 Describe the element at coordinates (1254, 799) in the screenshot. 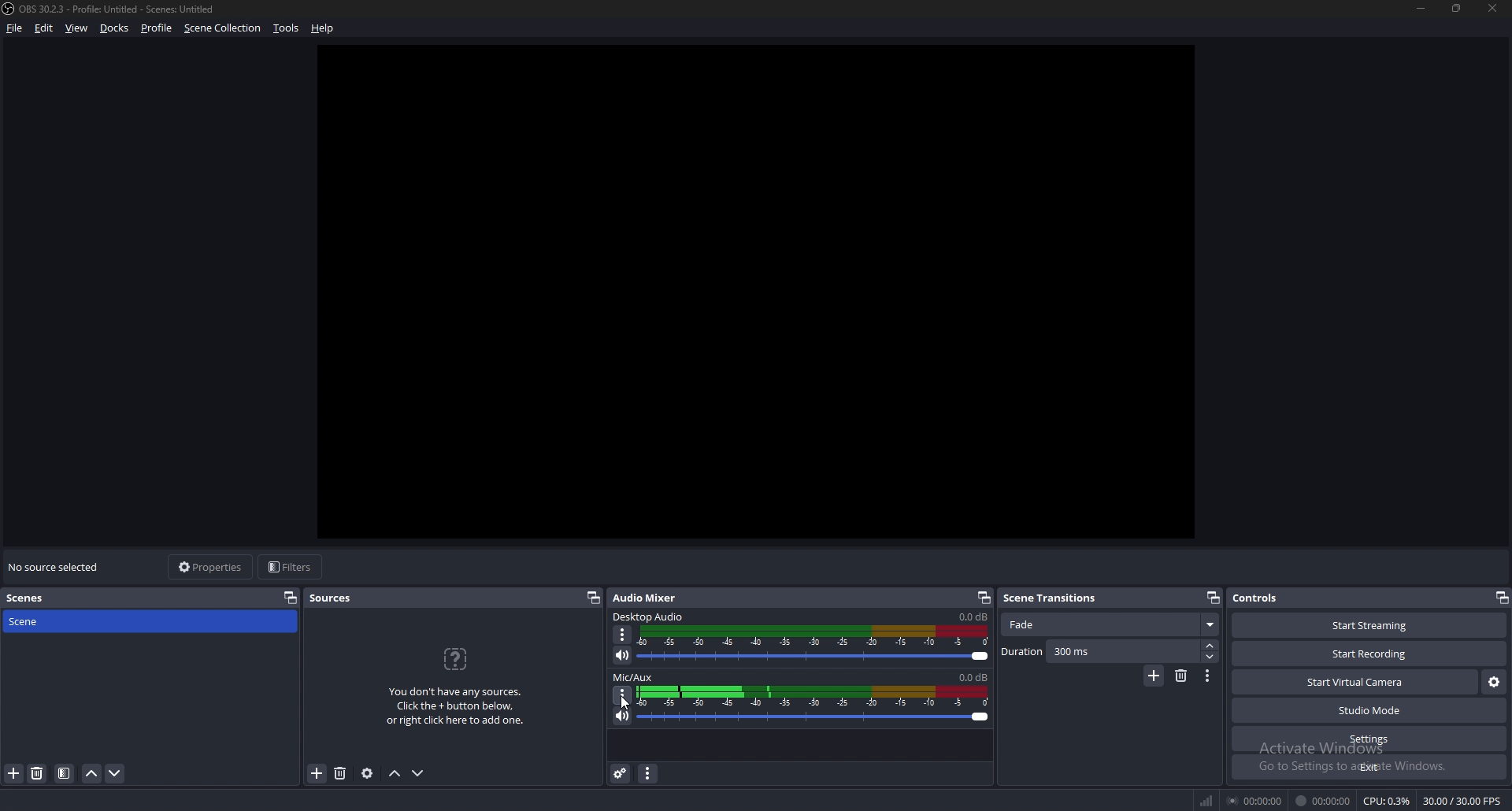

I see `00:00:00` at that location.